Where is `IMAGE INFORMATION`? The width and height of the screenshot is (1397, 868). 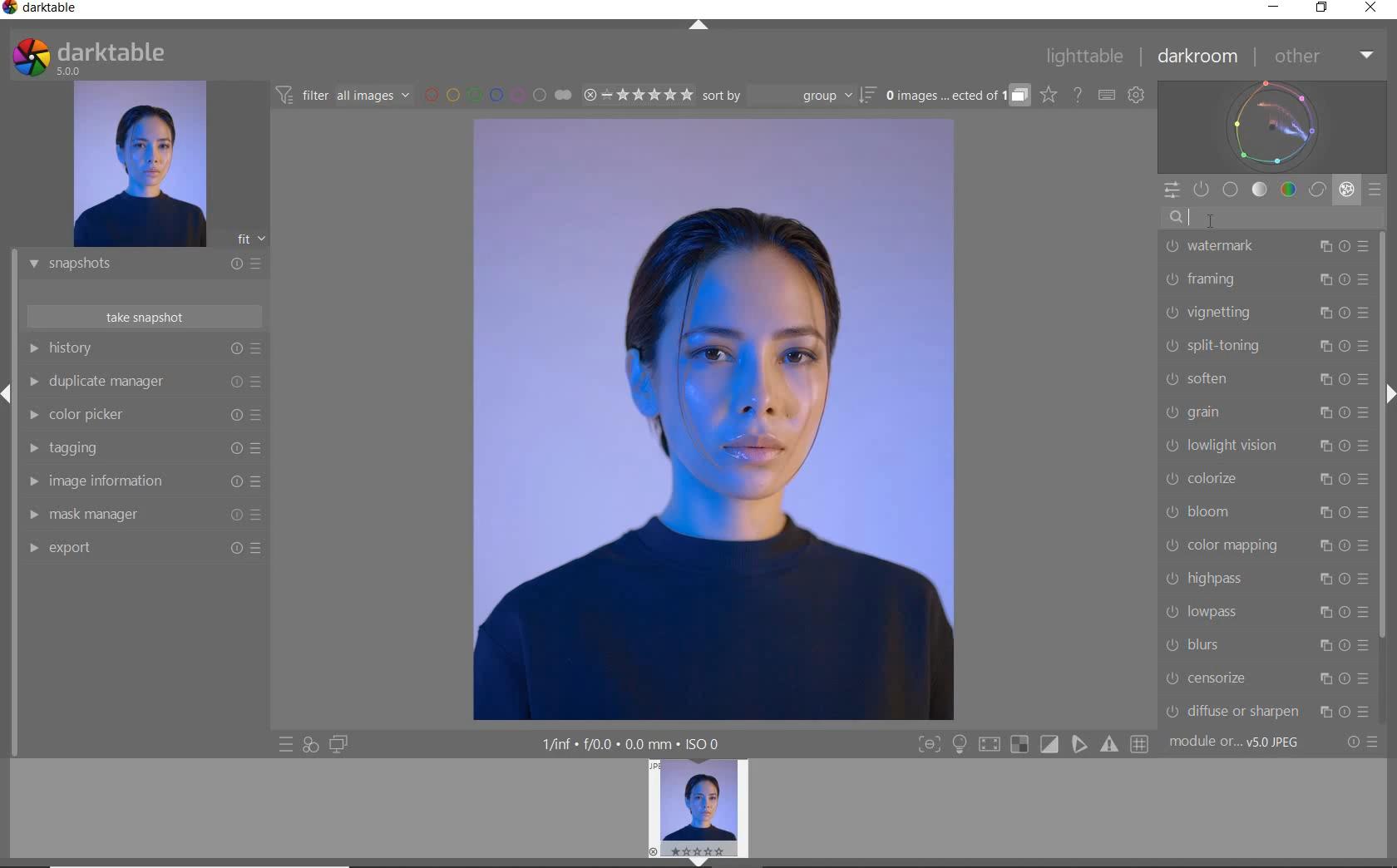 IMAGE INFORMATION is located at coordinates (139, 486).